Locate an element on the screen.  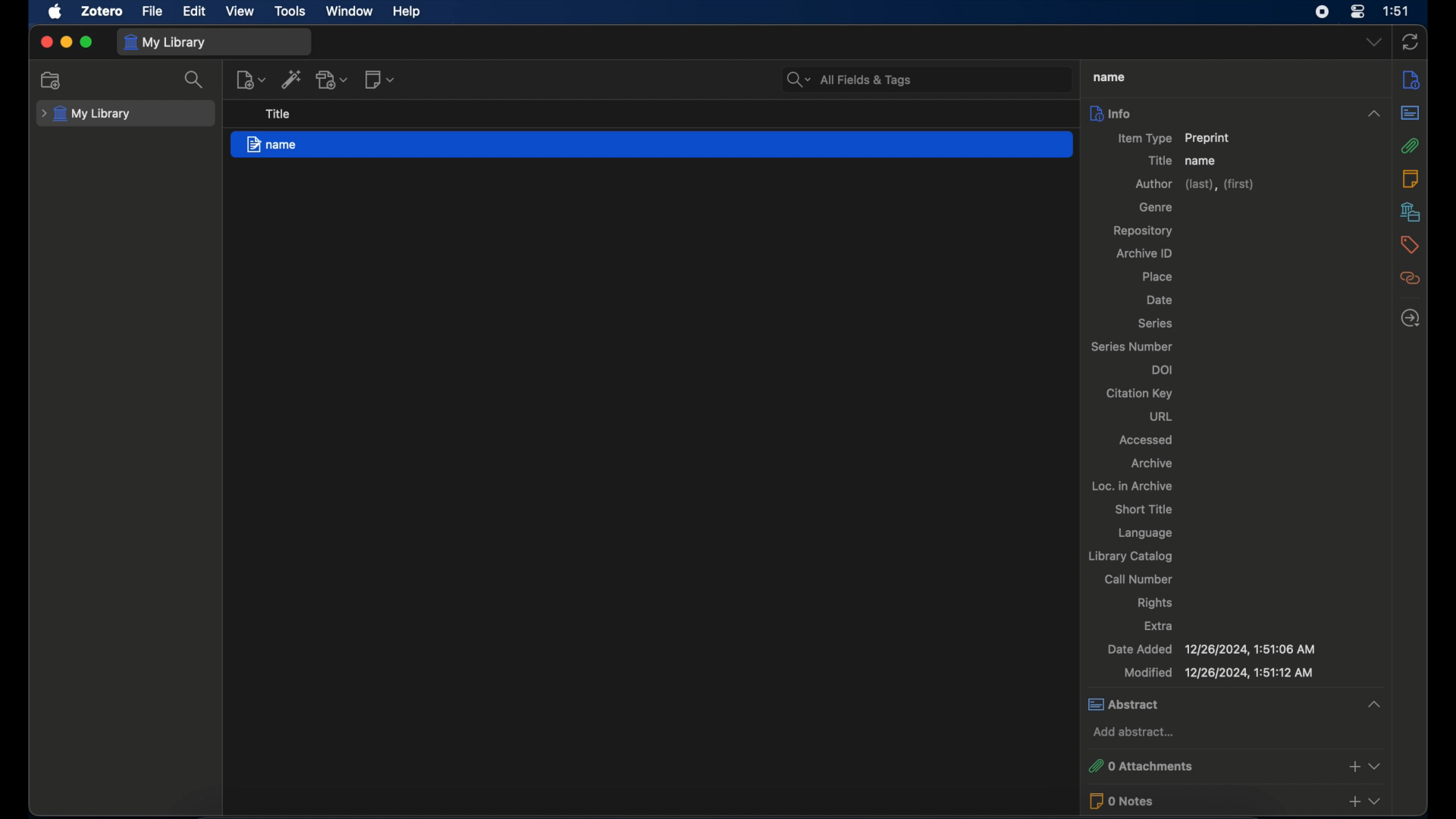
name is located at coordinates (1202, 161).